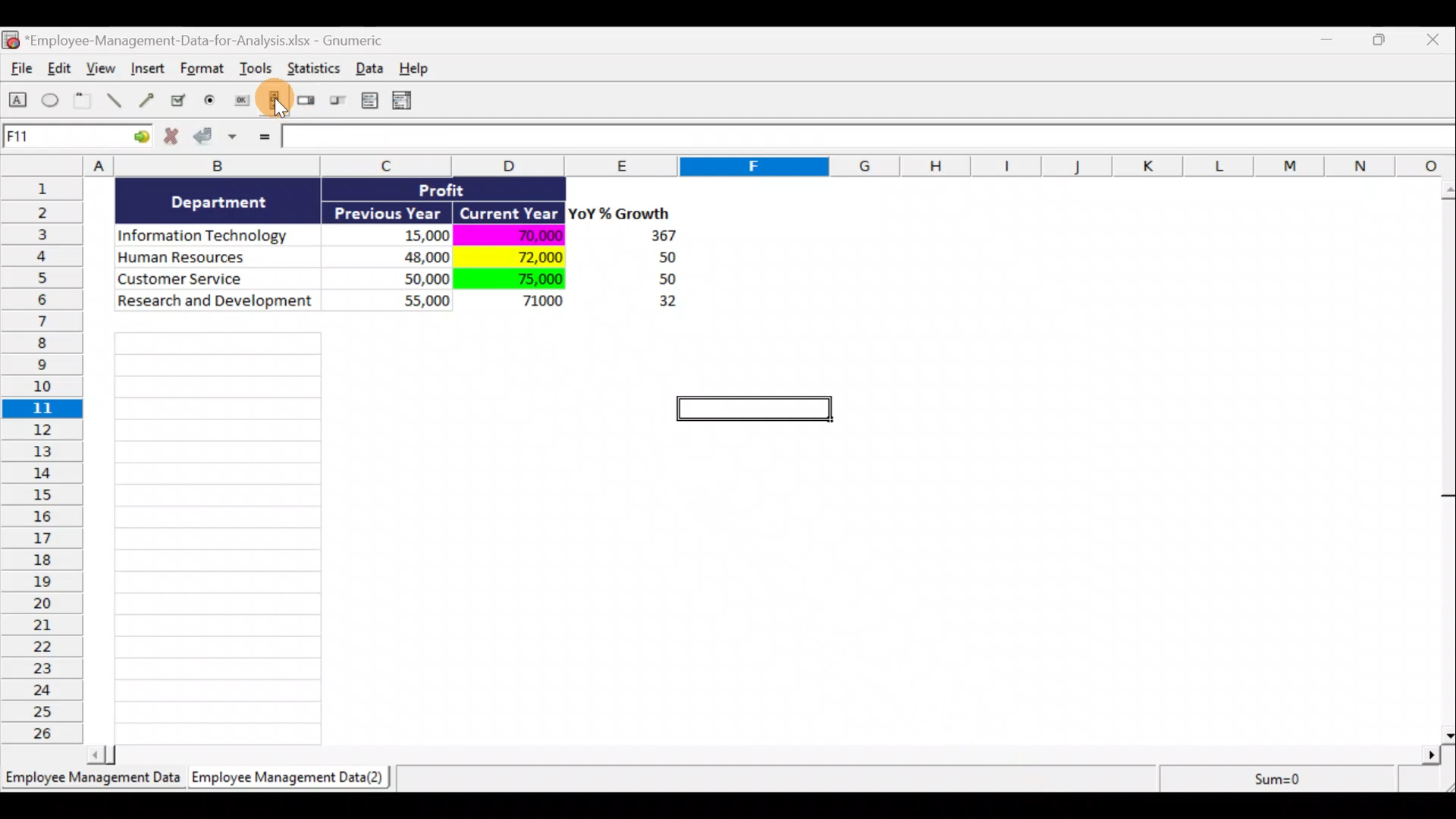 The image size is (1456, 819). Describe the element at coordinates (409, 101) in the screenshot. I see `Create a combo box` at that location.